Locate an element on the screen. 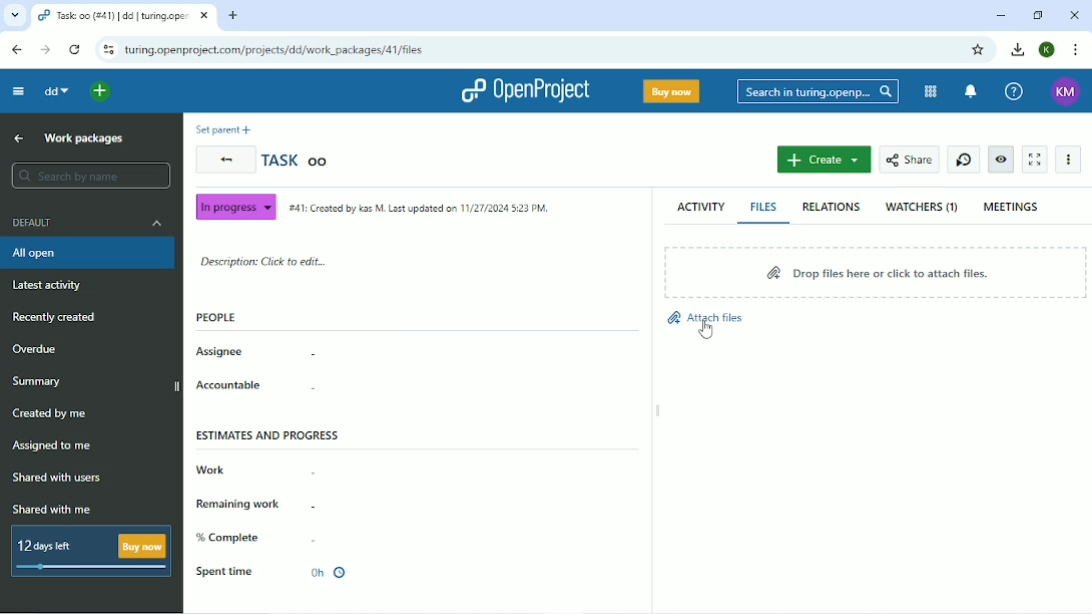 The height and width of the screenshot is (614, 1092). Drop files here or click to attach files.  is located at coordinates (875, 272).